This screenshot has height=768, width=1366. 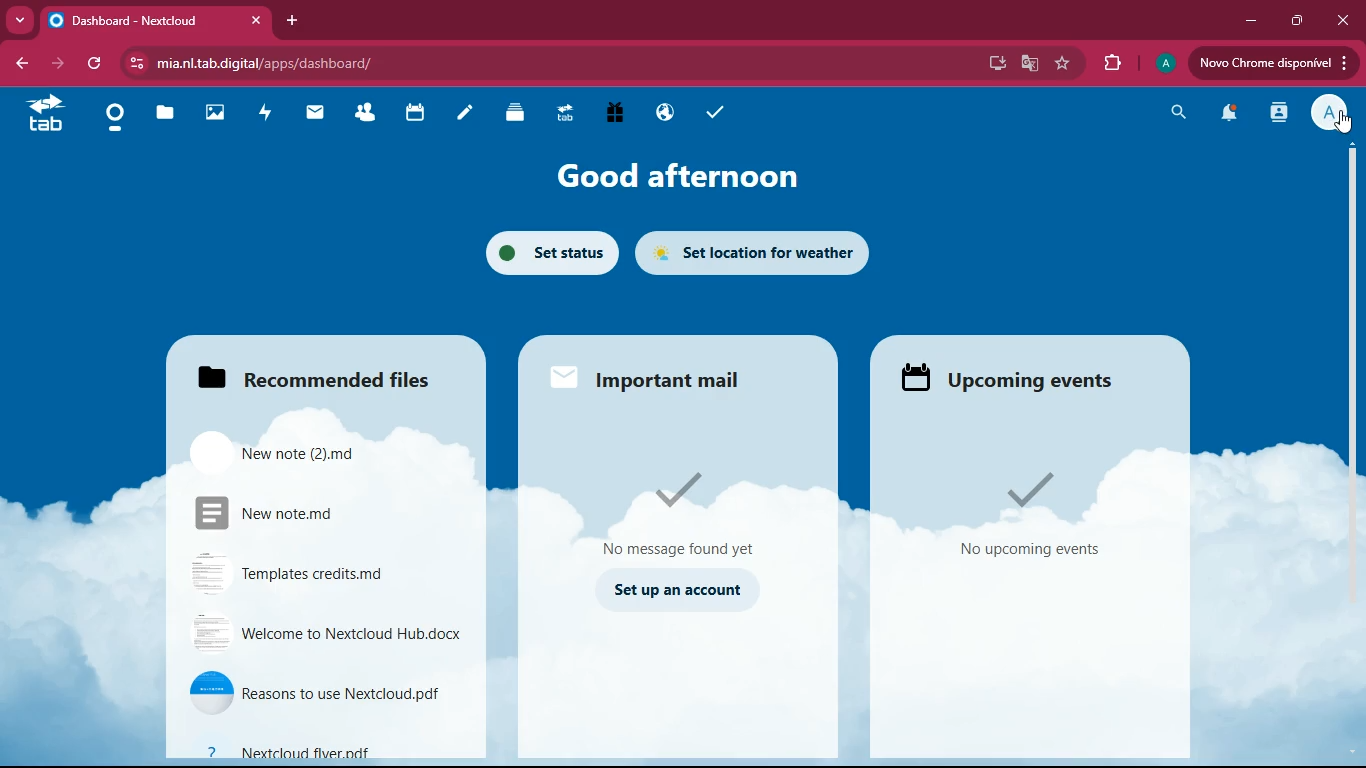 I want to click on tasks, so click(x=711, y=112).